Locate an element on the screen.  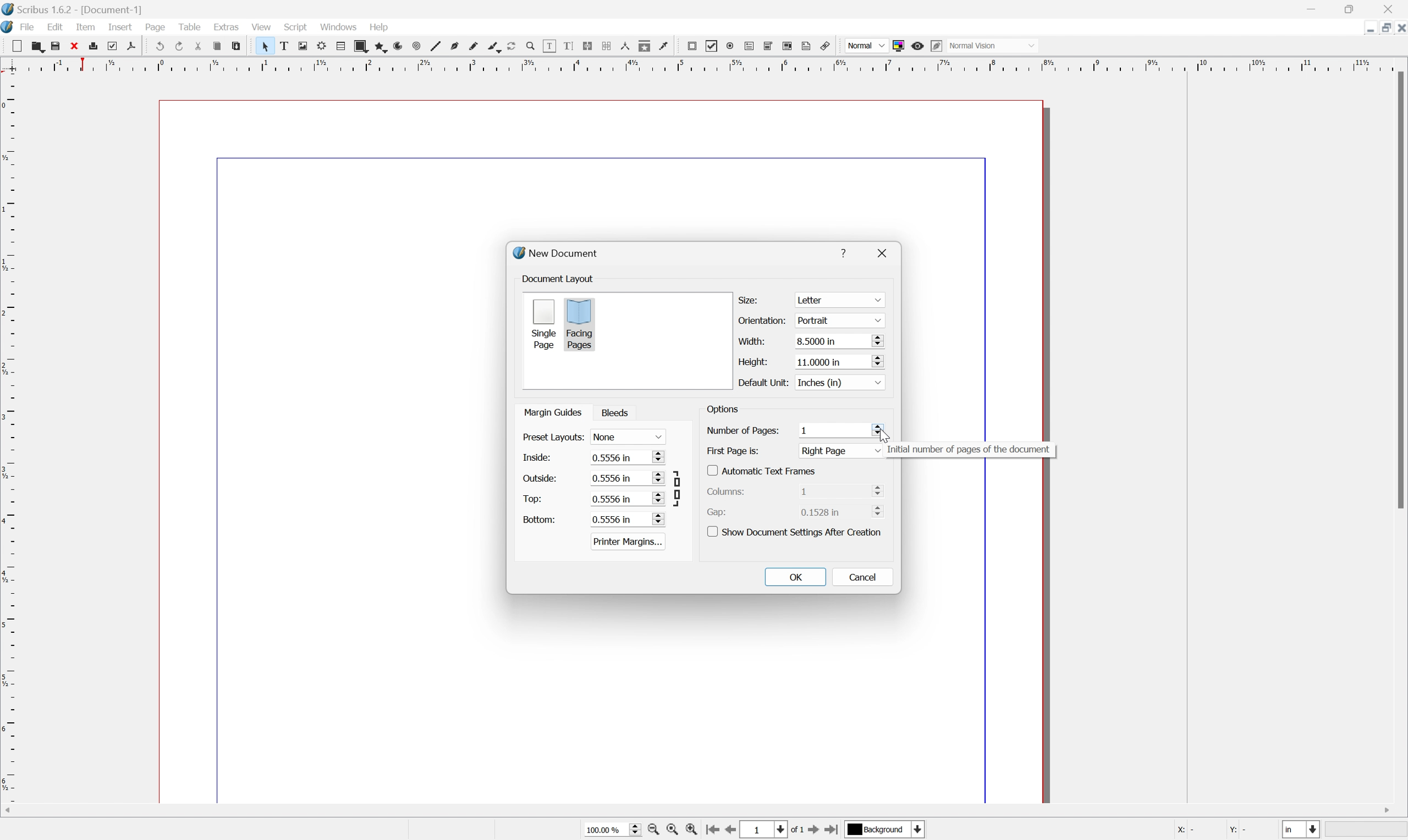
Number of pages: is located at coordinates (742, 430).